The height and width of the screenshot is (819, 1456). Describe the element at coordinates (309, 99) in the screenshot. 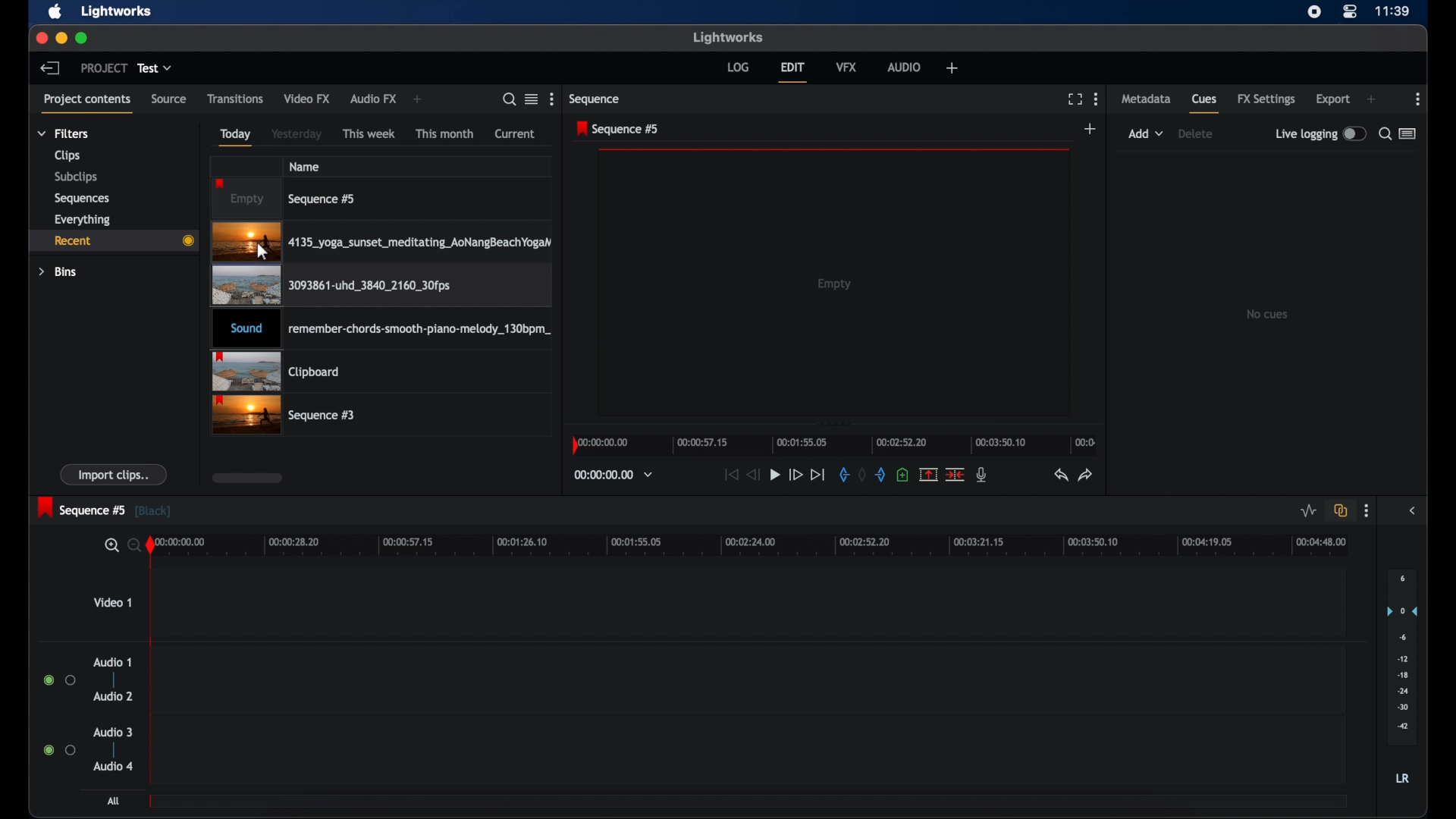

I see `video fx` at that location.